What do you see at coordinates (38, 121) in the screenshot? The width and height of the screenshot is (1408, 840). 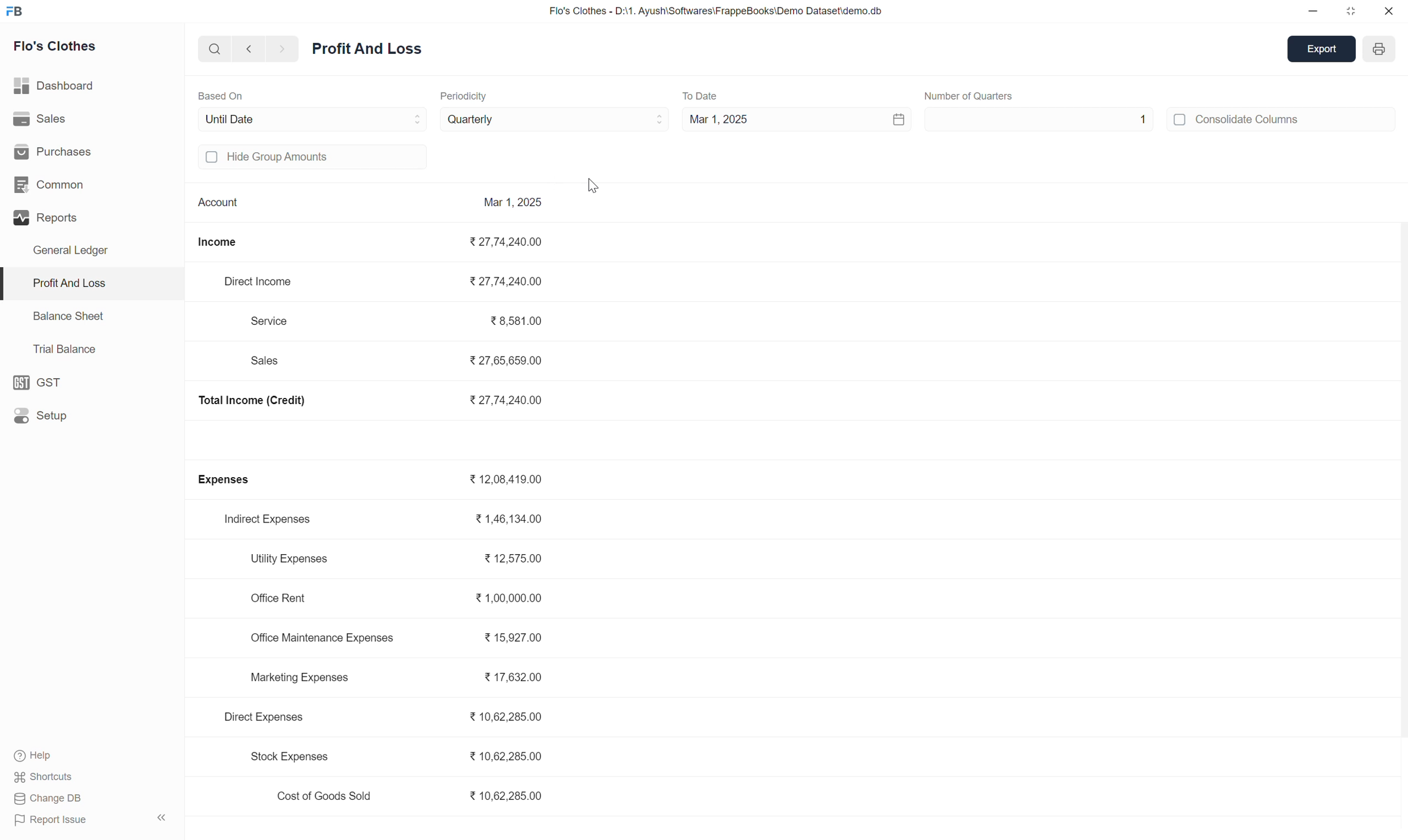 I see `Sales` at bounding box center [38, 121].